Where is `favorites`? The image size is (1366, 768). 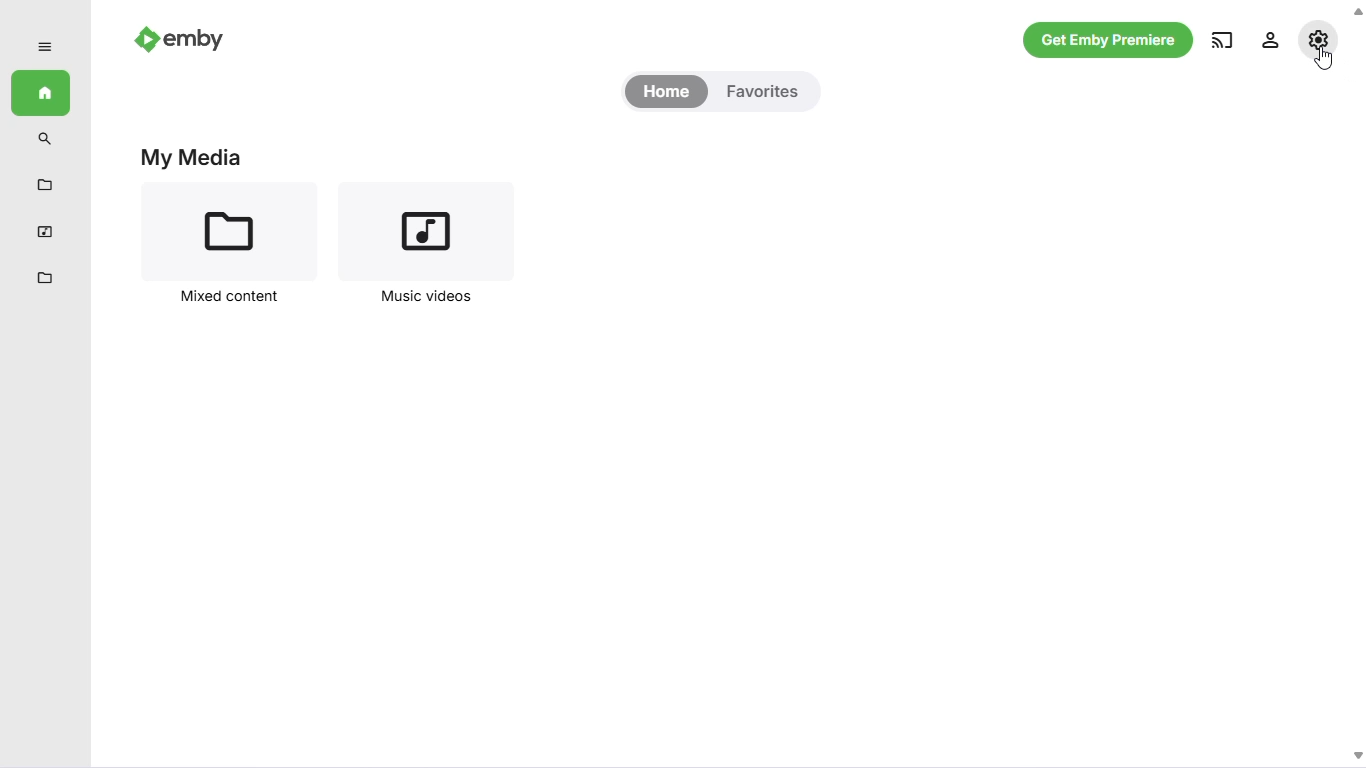
favorites is located at coordinates (762, 92).